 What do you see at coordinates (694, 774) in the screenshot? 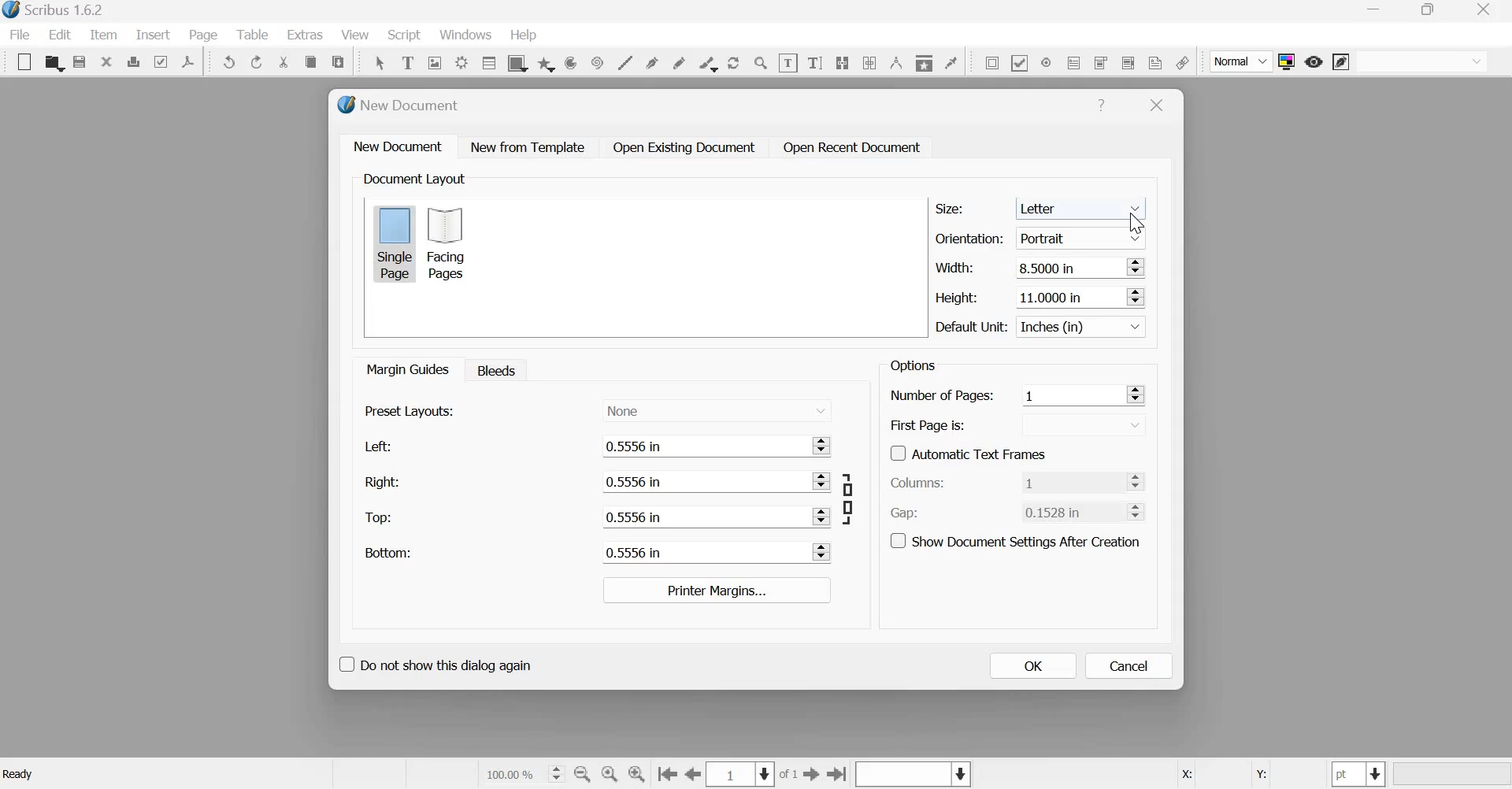
I see `go to the previous page` at bounding box center [694, 774].